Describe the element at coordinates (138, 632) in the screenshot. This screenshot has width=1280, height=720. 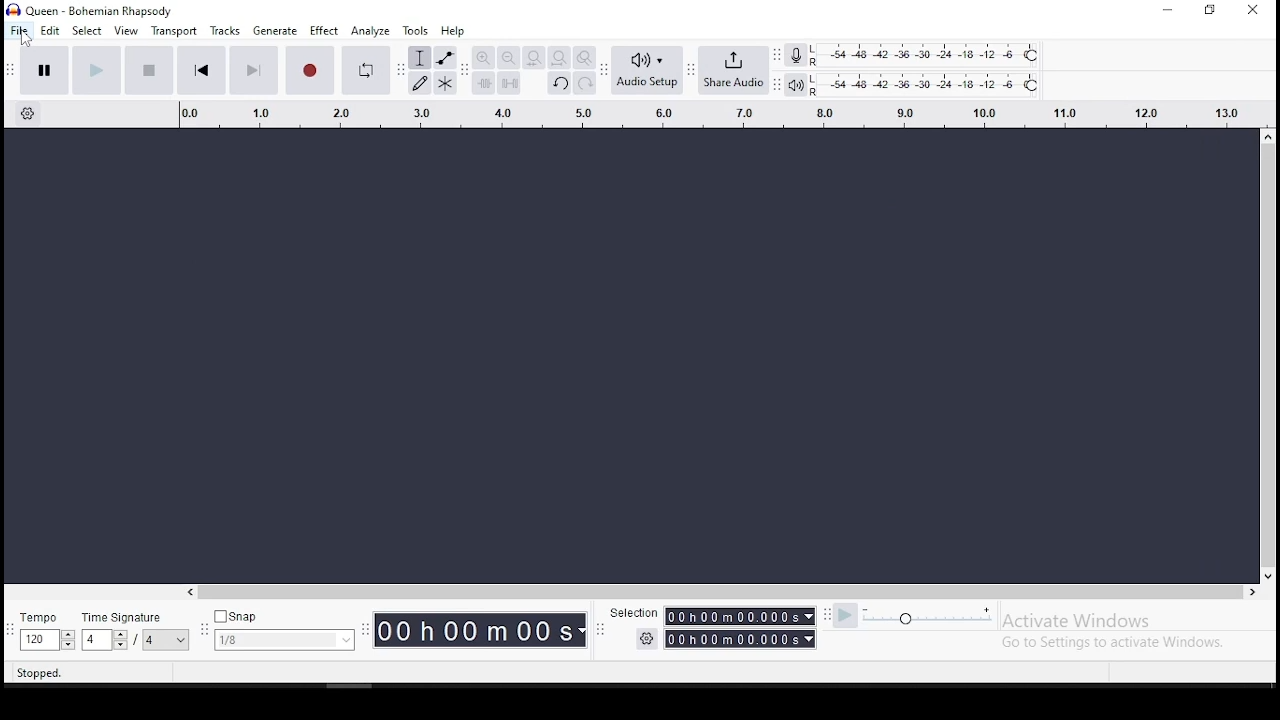
I see `time signature` at that location.